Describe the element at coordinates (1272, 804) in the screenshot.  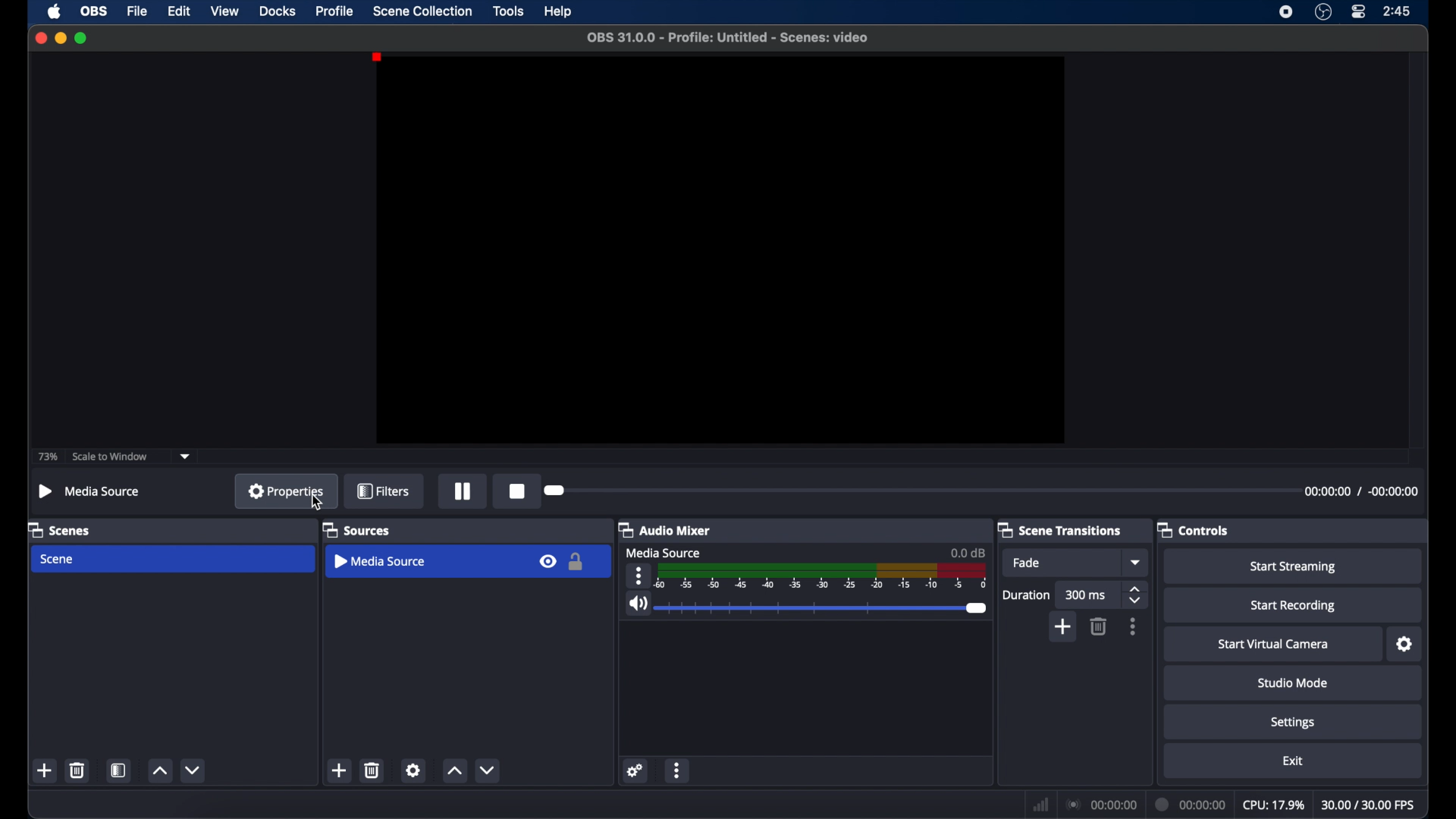
I see `cpu` at that location.